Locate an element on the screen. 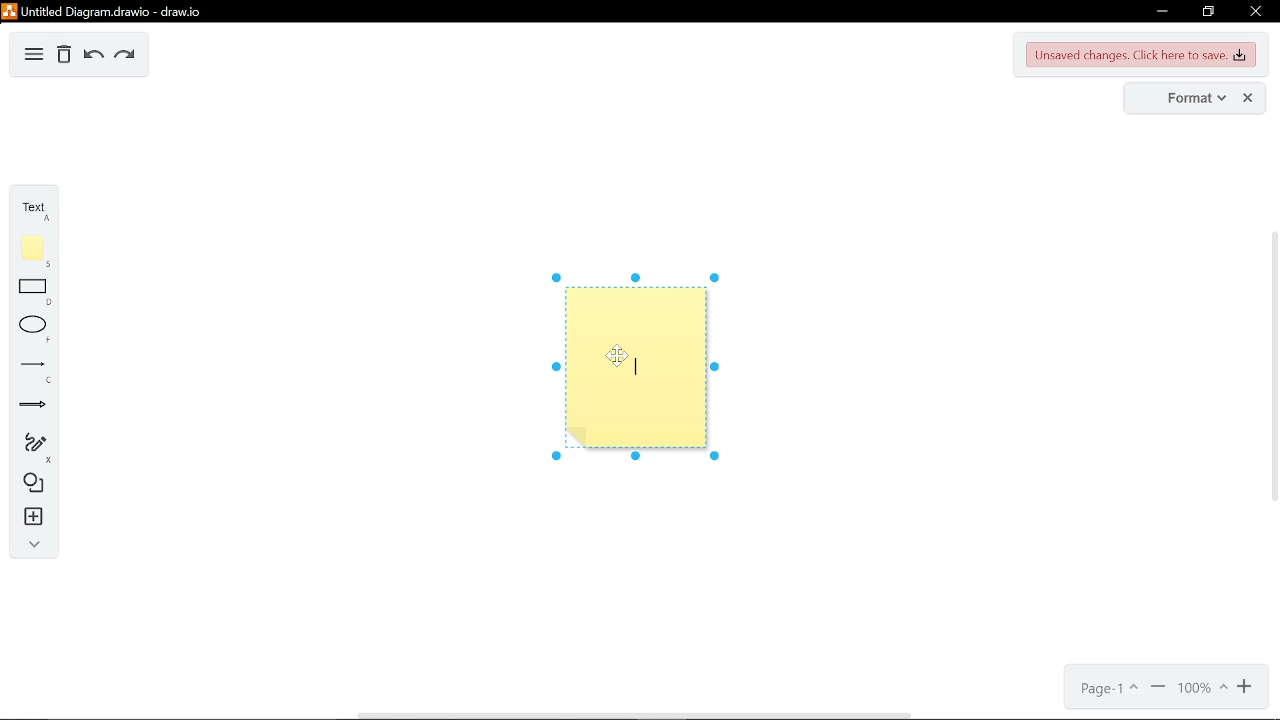 This screenshot has width=1280, height=720. format is located at coordinates (1186, 99).